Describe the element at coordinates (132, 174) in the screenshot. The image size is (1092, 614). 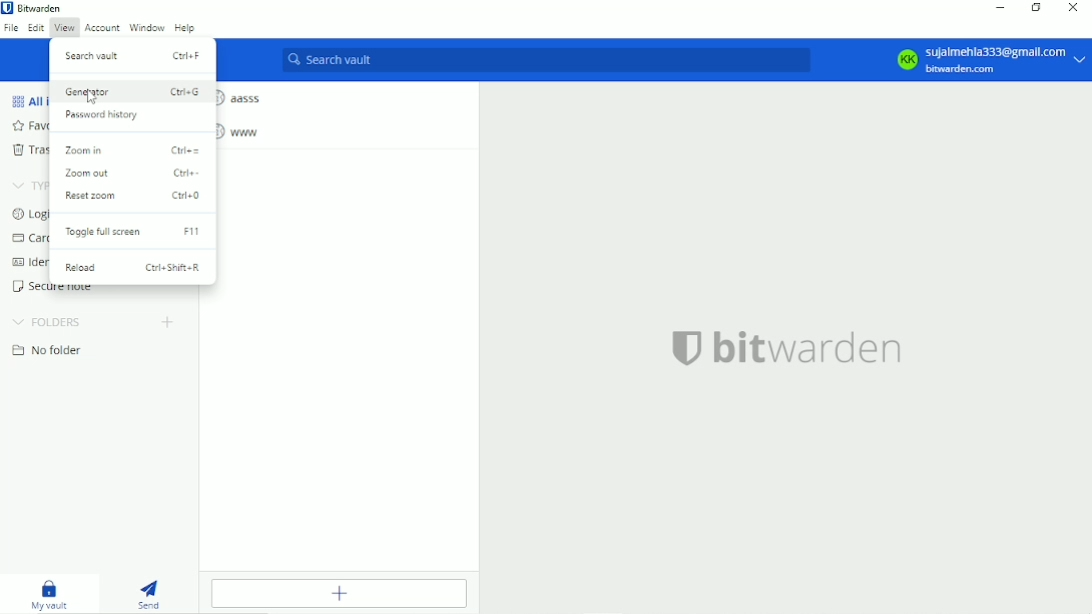
I see `Zoom out` at that location.